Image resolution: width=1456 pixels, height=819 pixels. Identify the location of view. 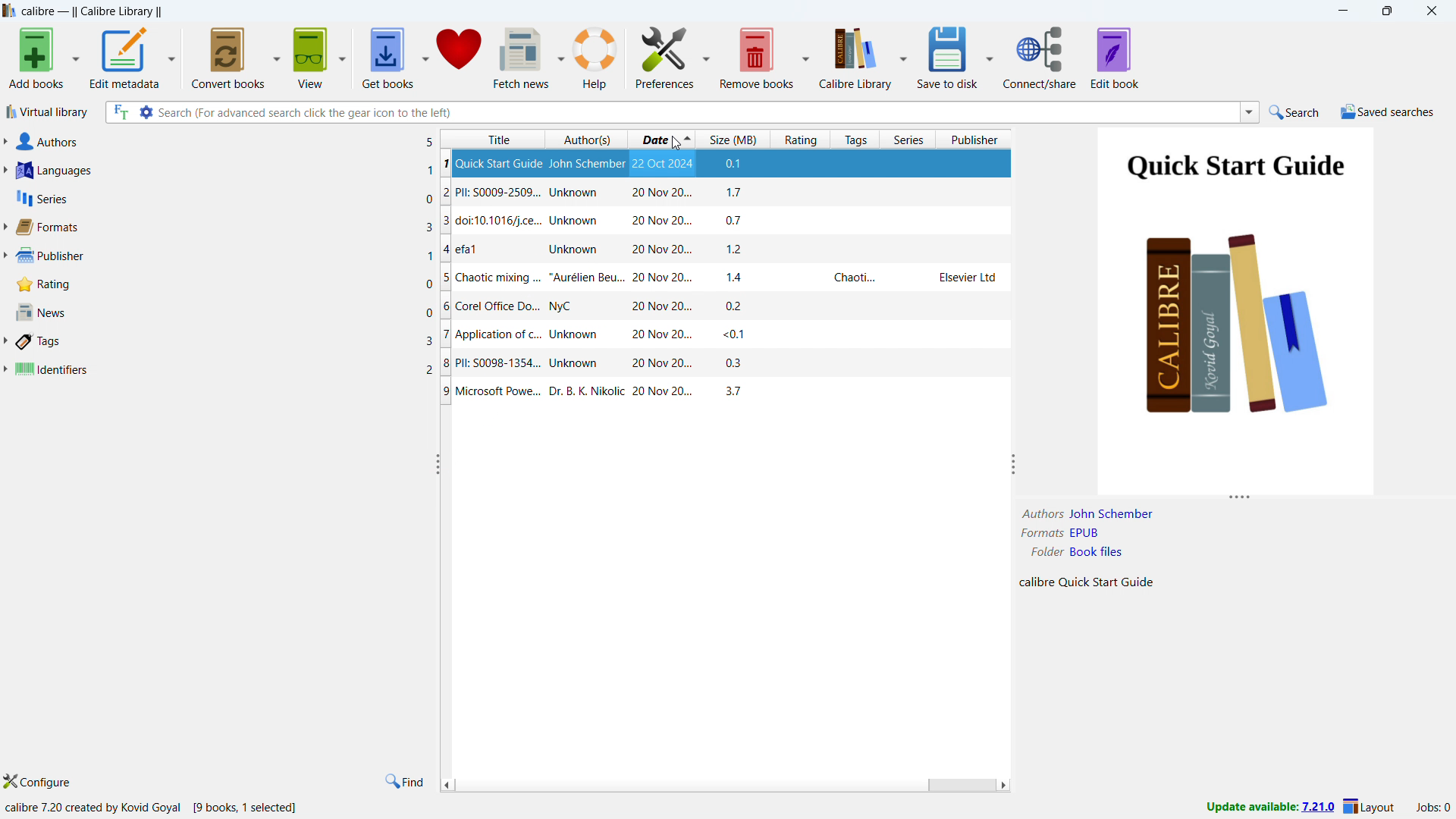
(312, 55).